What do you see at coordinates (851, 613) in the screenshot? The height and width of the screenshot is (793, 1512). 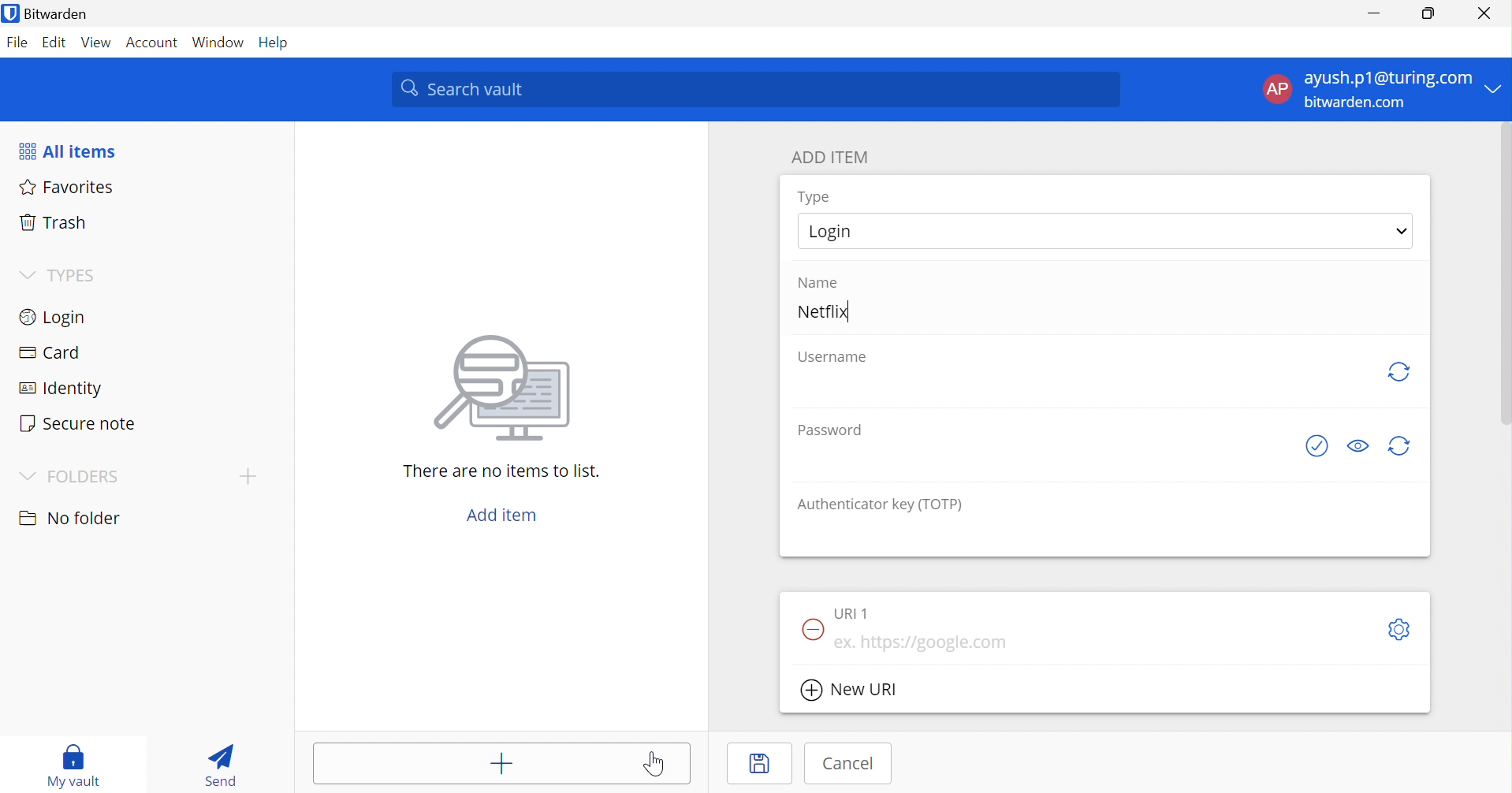 I see `URl 1` at bounding box center [851, 613].